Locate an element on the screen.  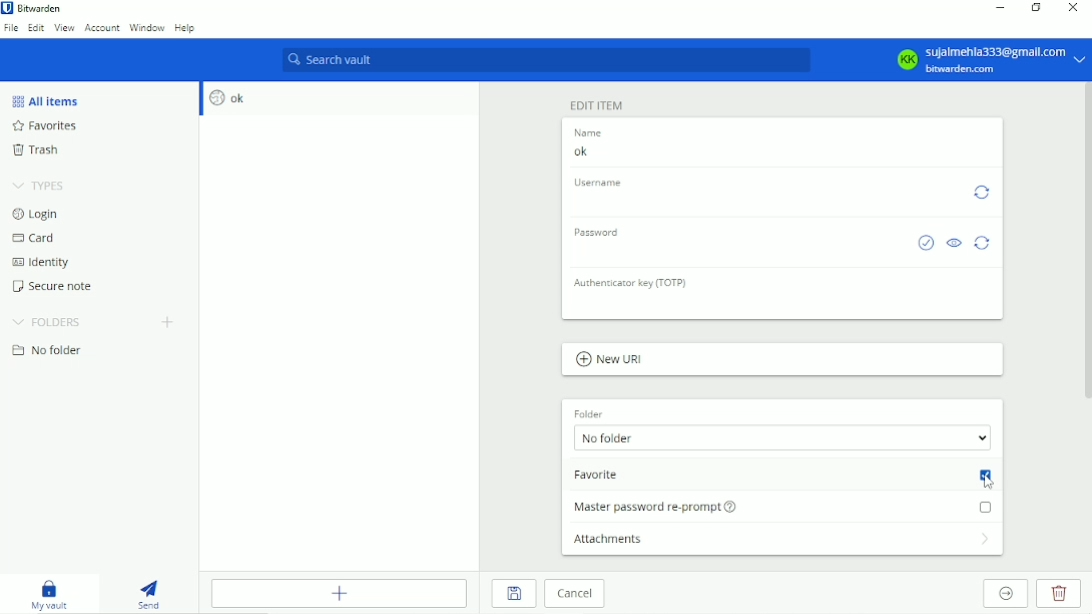
add/edit name is located at coordinates (781, 150).